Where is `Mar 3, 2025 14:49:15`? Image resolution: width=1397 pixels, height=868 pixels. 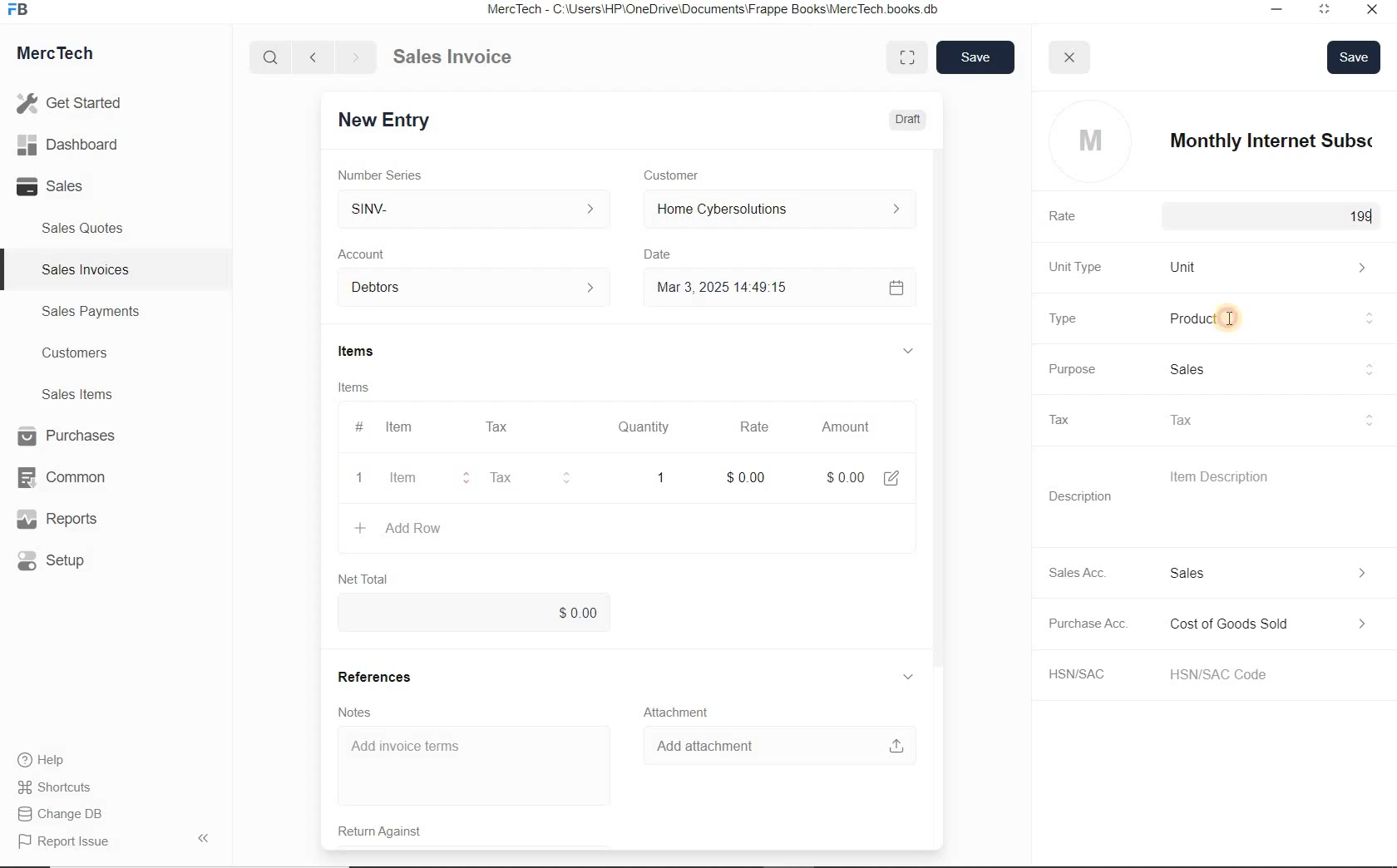
Mar 3, 2025 14:49:15 is located at coordinates (719, 289).